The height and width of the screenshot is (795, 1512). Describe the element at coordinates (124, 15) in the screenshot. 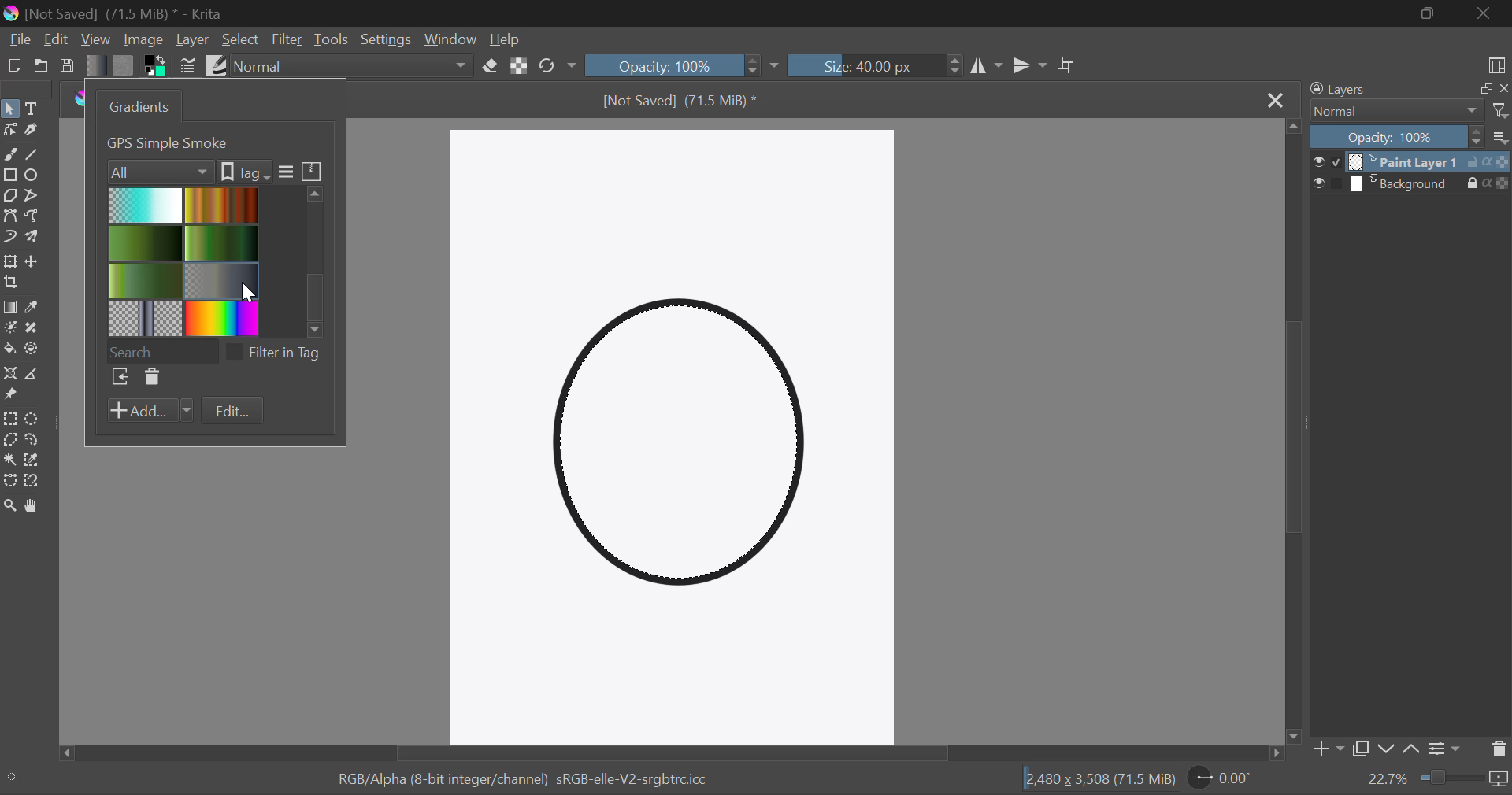

I see `[Not Saved] (71.5 MiB) * - Krita` at that location.